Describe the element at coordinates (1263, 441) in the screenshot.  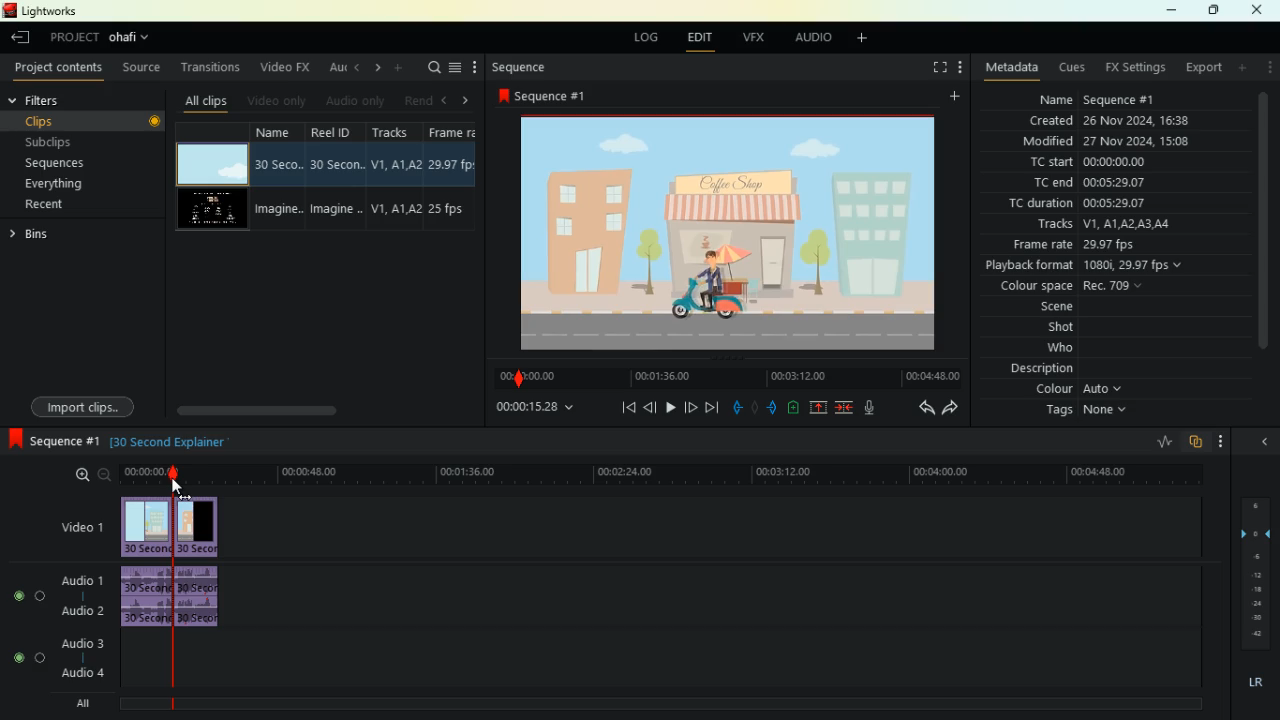
I see `close` at that location.